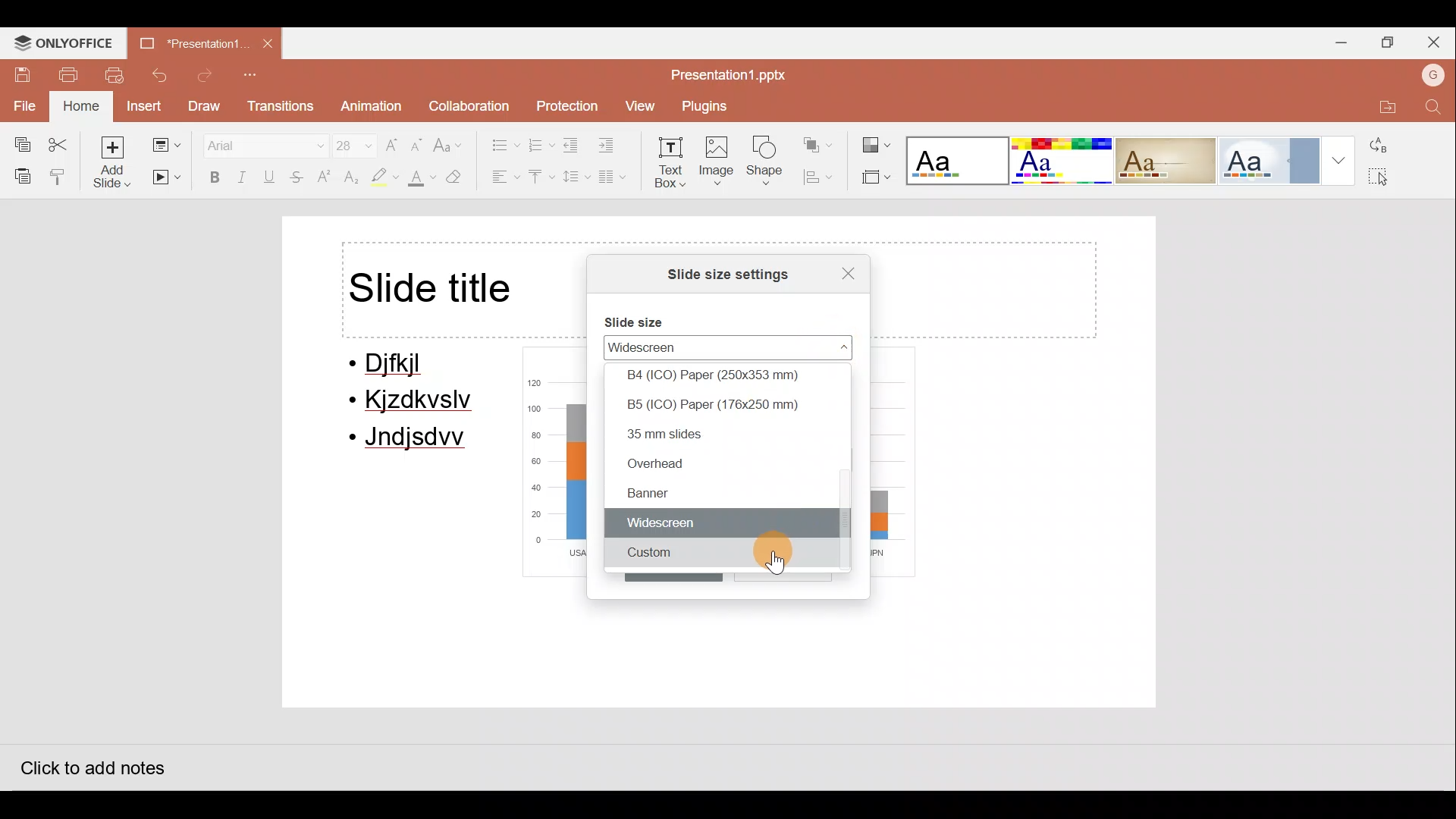 The height and width of the screenshot is (819, 1456). I want to click on Image, so click(718, 164).